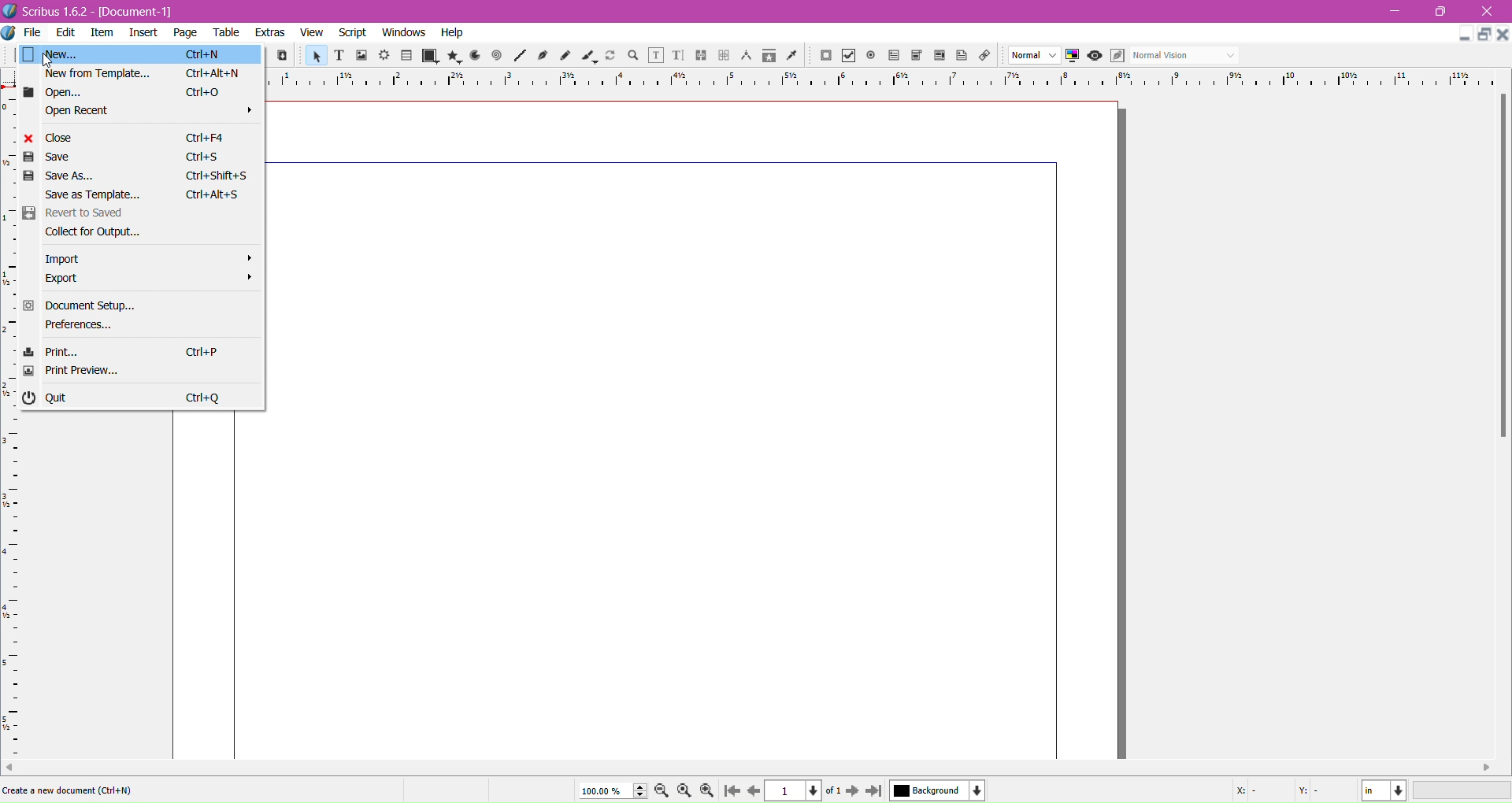  Describe the element at coordinates (142, 279) in the screenshot. I see `Export` at that location.